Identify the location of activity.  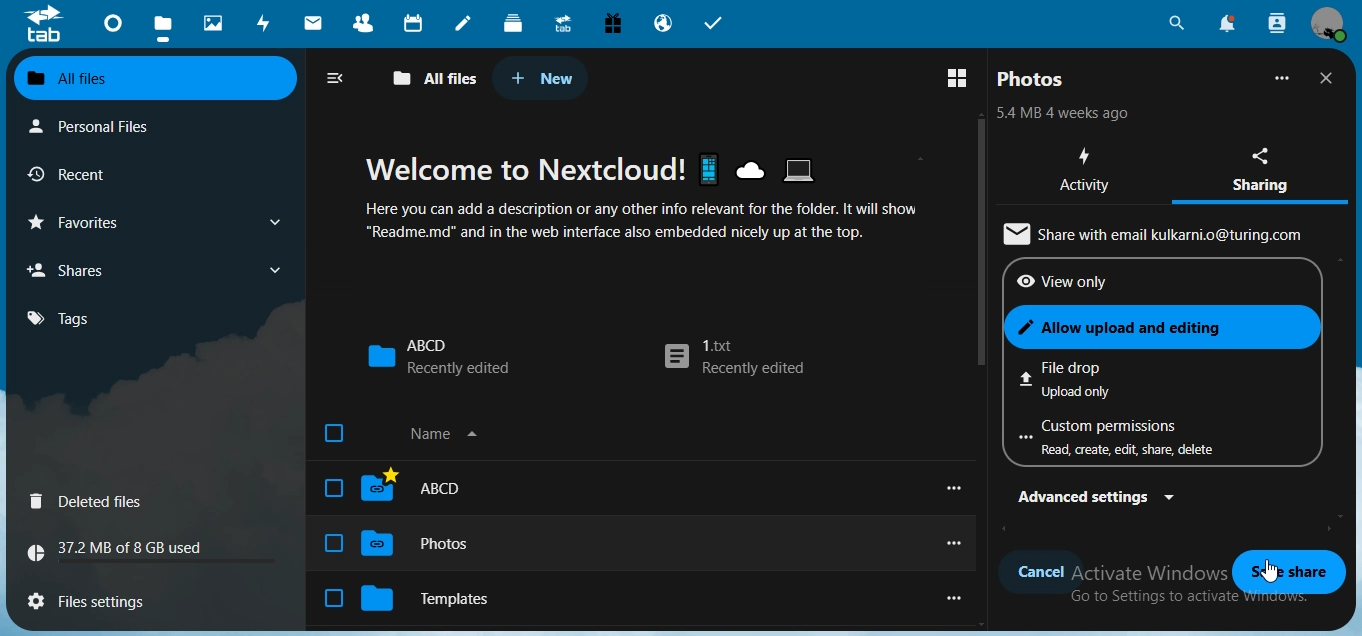
(268, 23).